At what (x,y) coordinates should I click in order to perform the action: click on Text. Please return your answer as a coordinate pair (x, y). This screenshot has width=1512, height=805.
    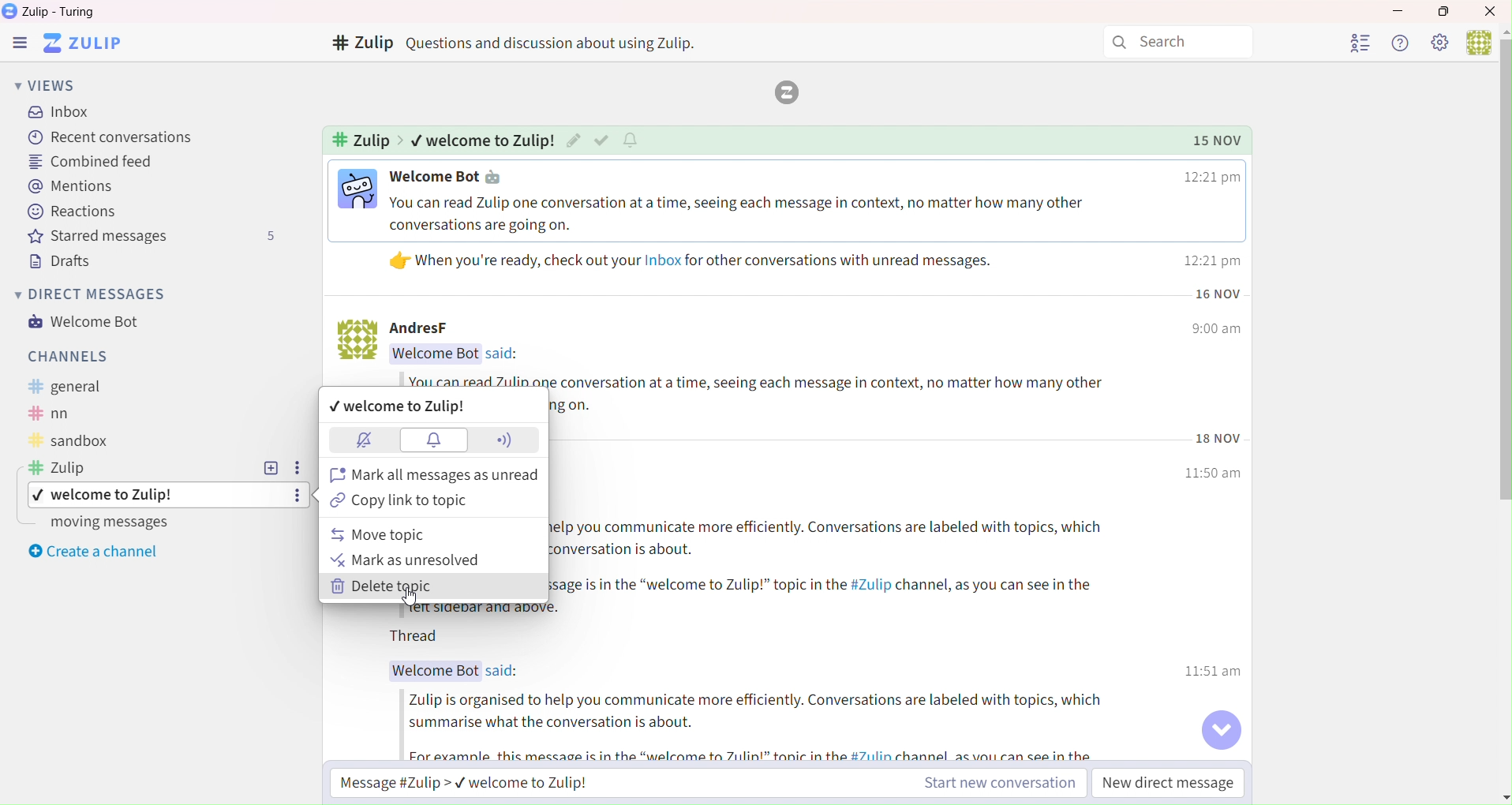
    Looking at the image, I should click on (763, 215).